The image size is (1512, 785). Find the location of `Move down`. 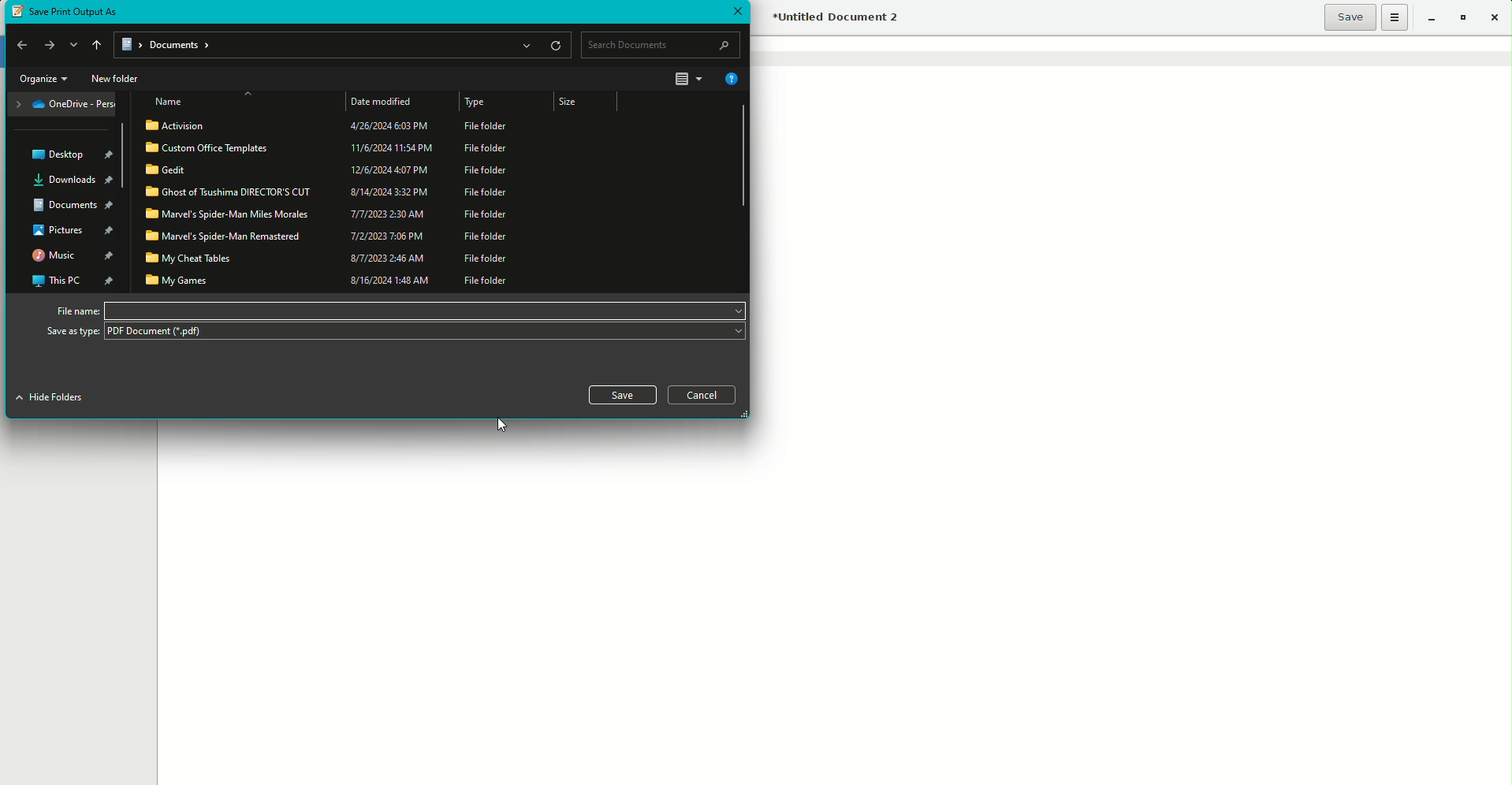

Move down is located at coordinates (73, 46).